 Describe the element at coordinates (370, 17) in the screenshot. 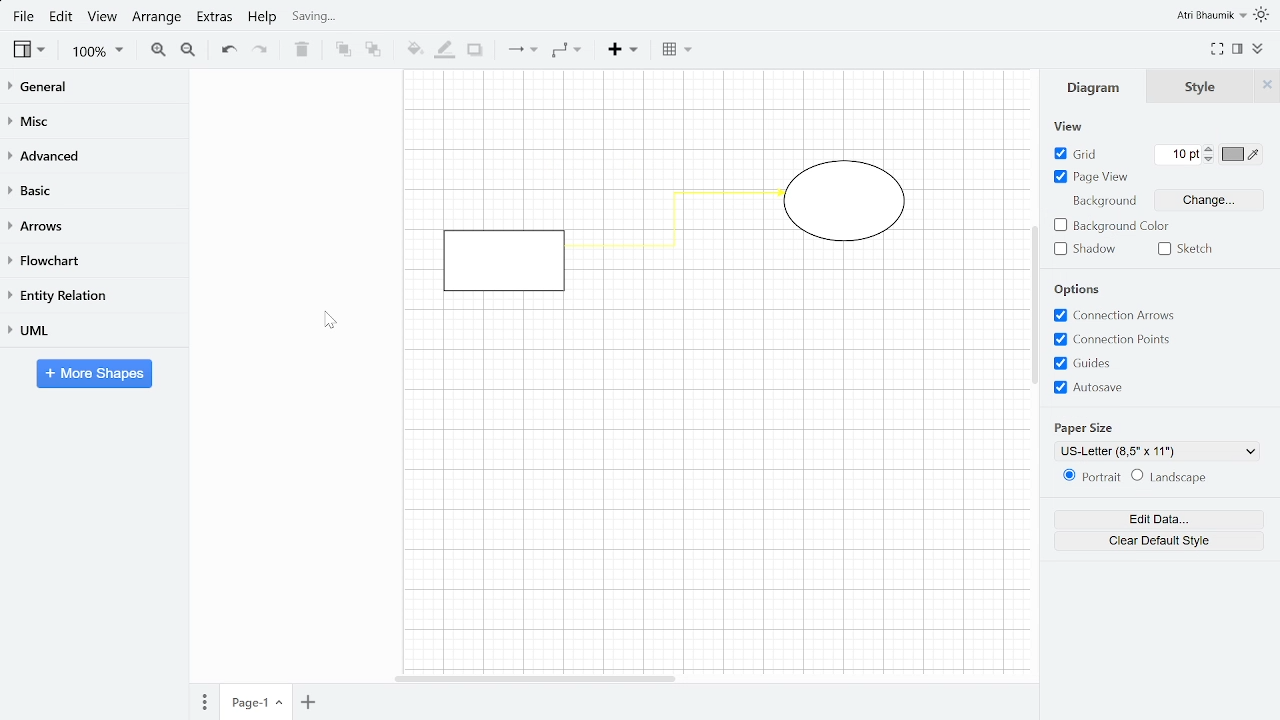

I see `Saving information "Last change 1 minute ago"` at that location.